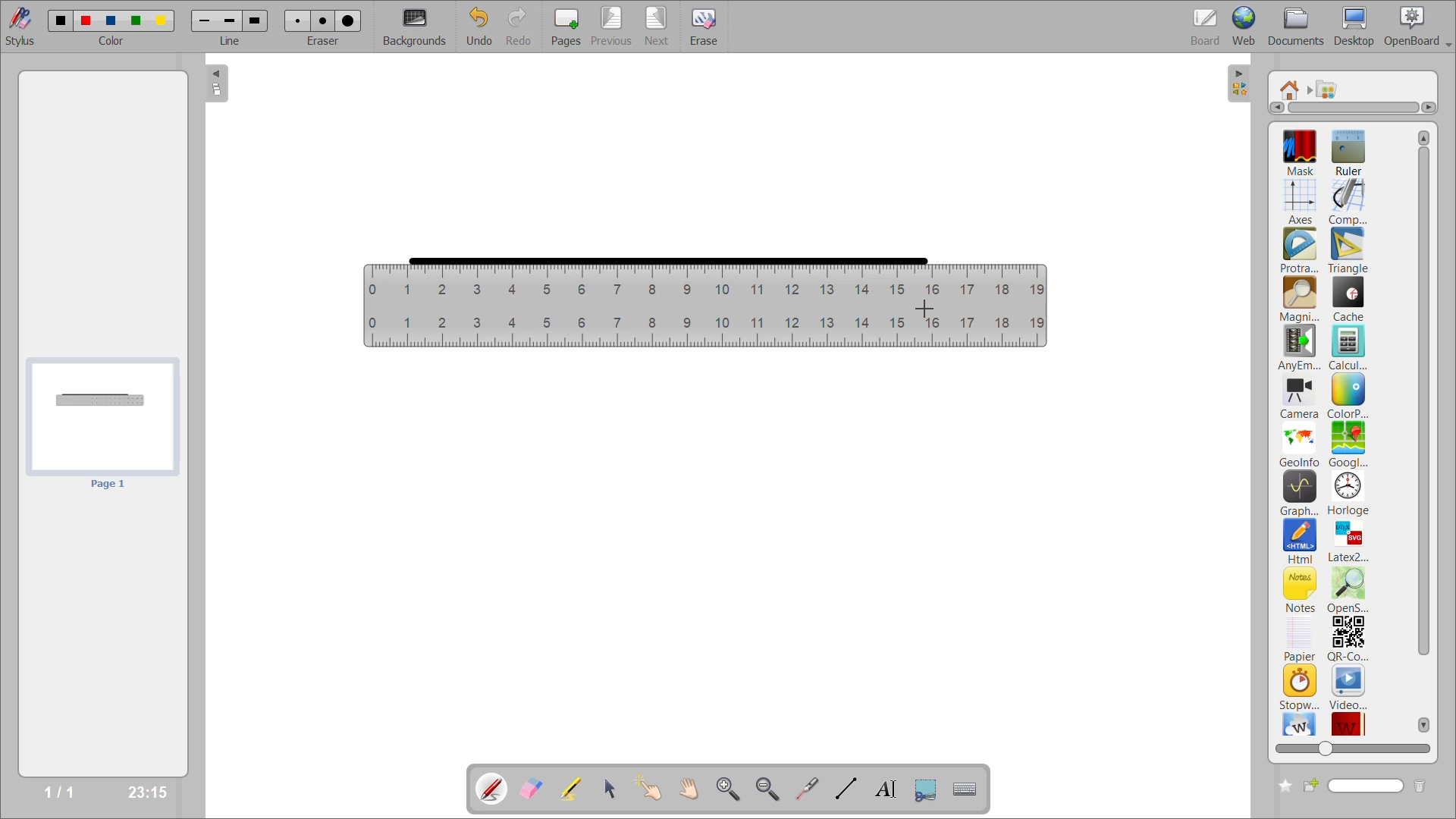  I want to click on backgrounds, so click(417, 27).